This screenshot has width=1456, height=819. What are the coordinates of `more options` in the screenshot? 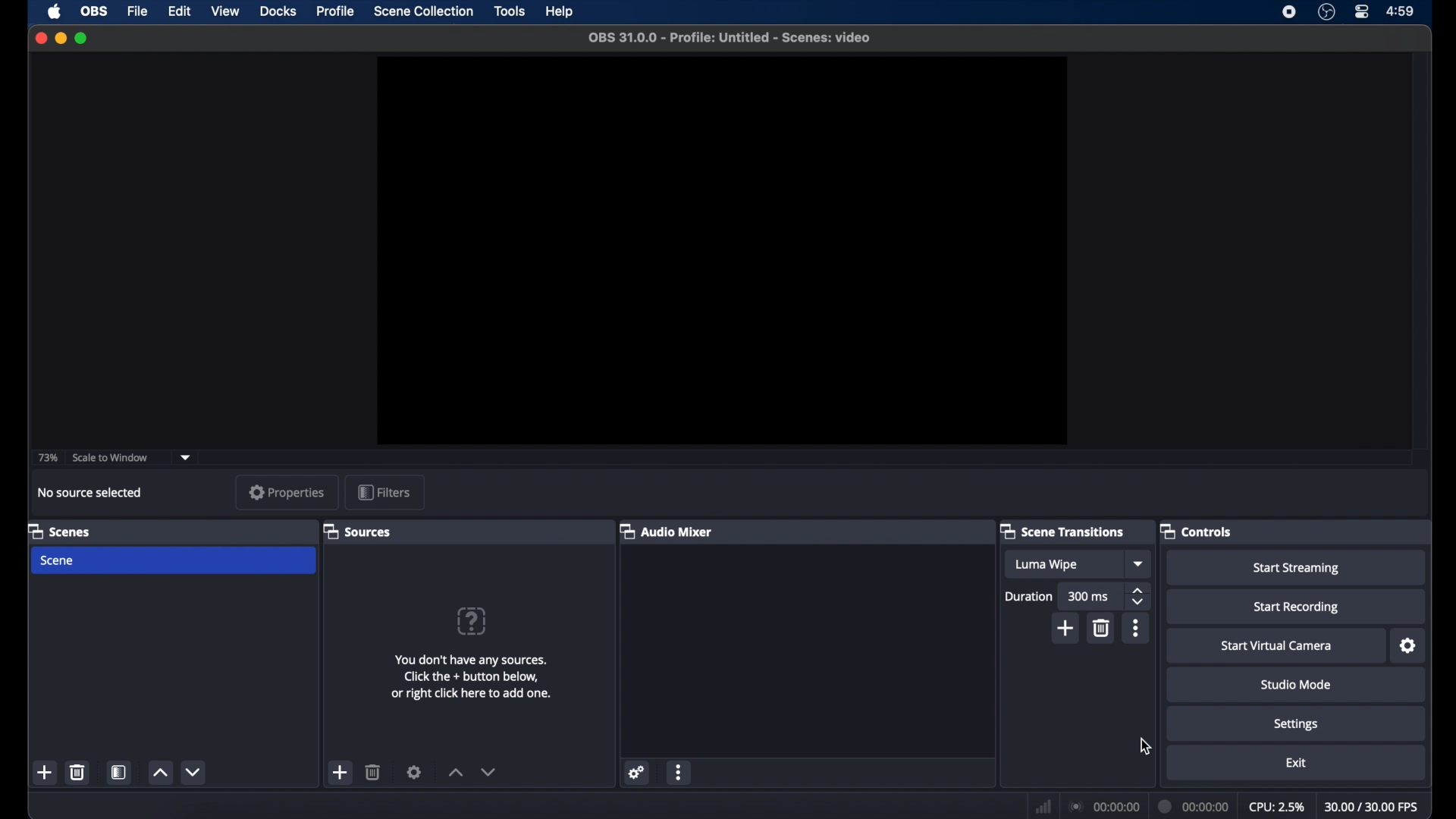 It's located at (1134, 627).